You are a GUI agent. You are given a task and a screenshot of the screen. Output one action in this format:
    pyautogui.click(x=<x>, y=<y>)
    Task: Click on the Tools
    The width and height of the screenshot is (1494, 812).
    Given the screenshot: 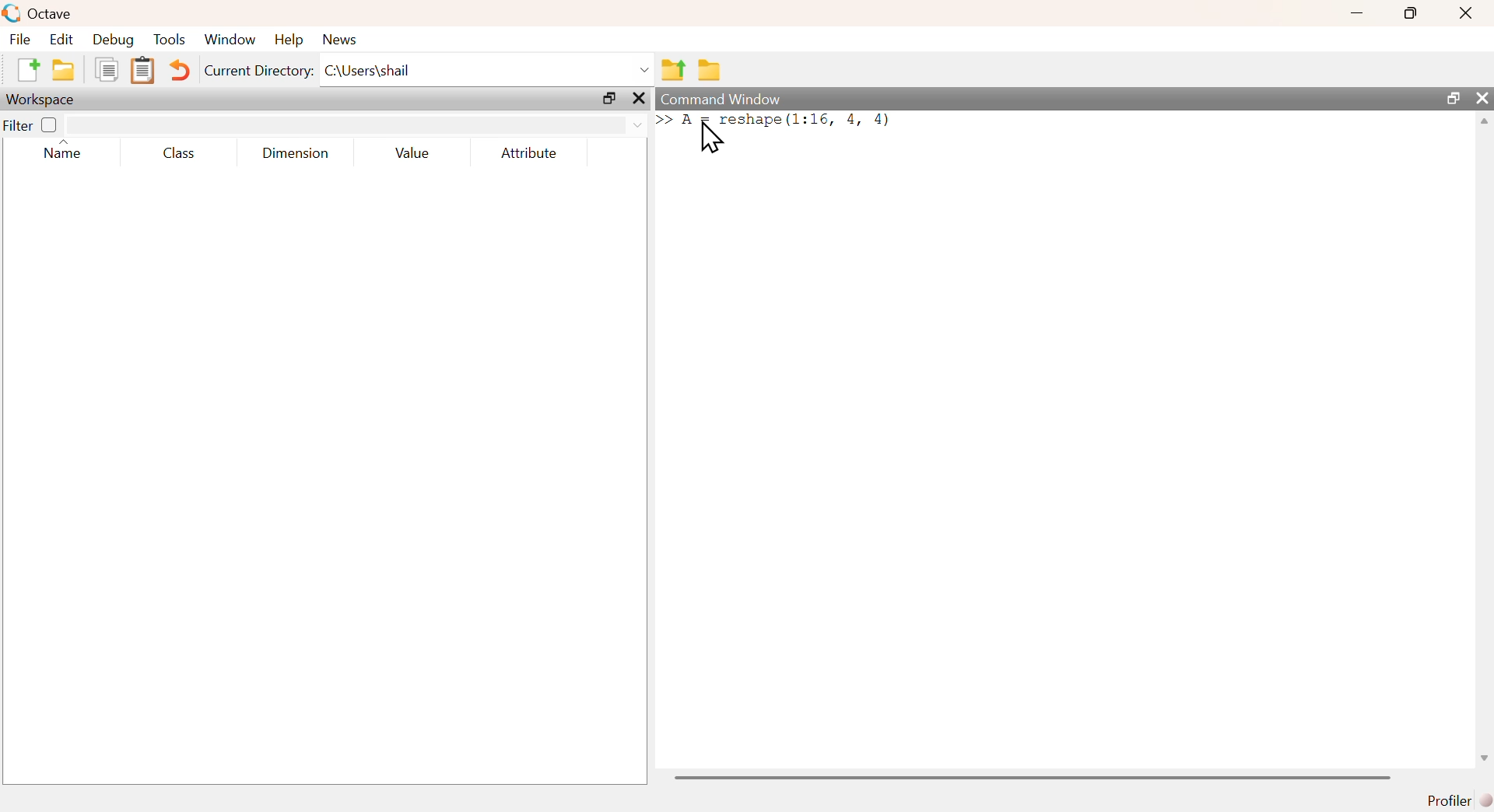 What is the action you would take?
    pyautogui.click(x=170, y=39)
    